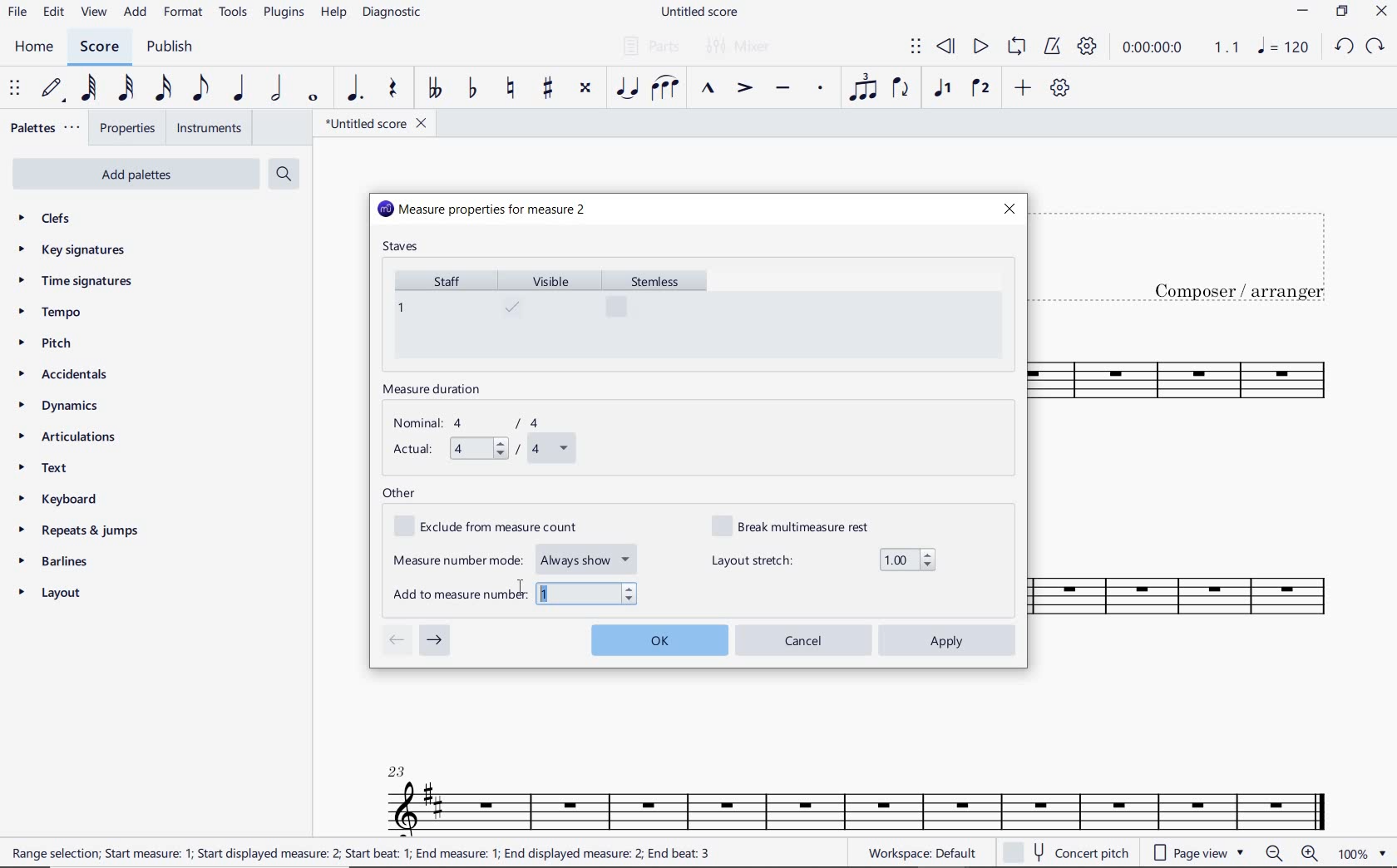 The width and height of the screenshot is (1397, 868). I want to click on HALF NOTE, so click(278, 89).